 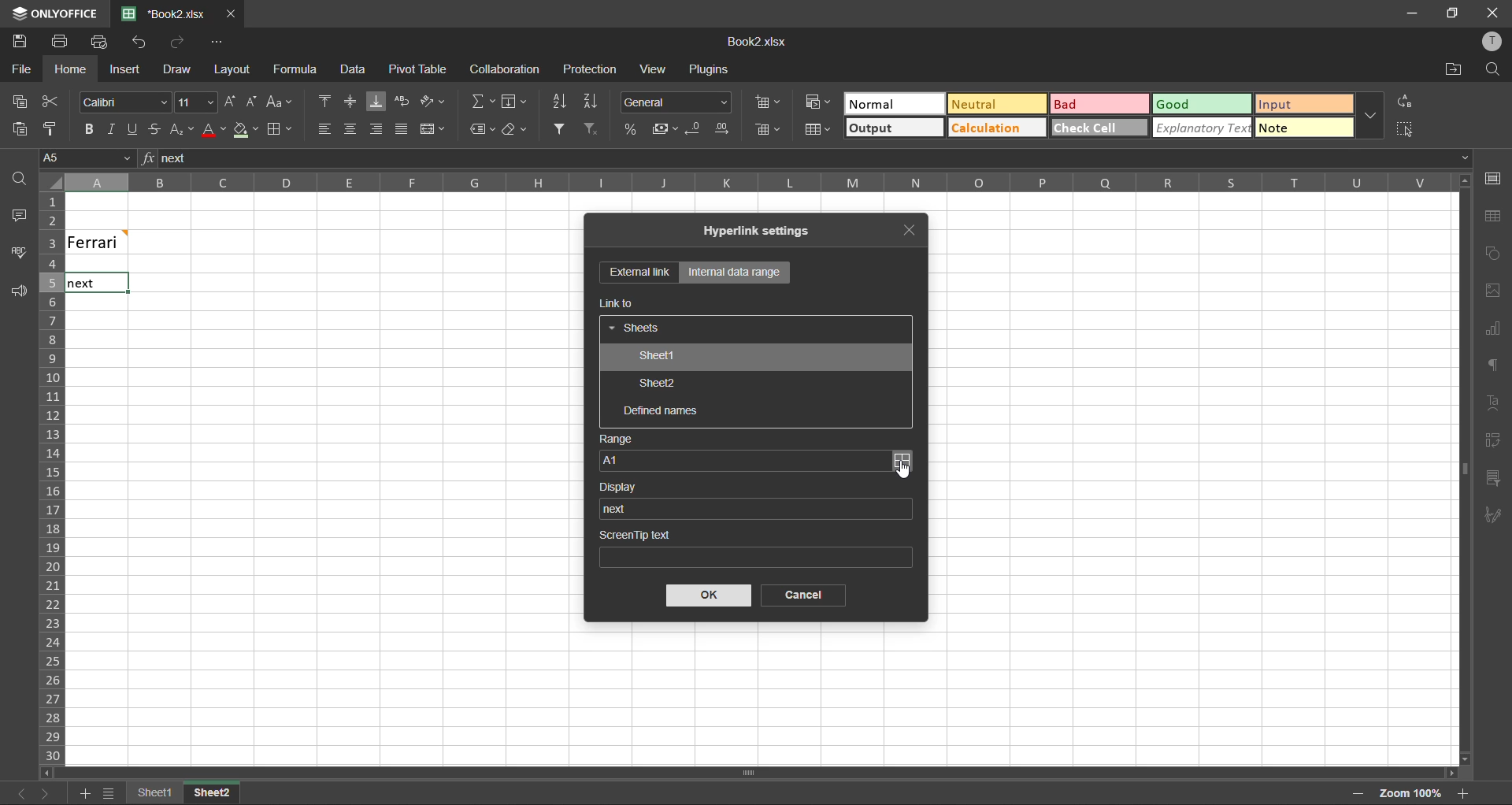 What do you see at coordinates (17, 102) in the screenshot?
I see `copy` at bounding box center [17, 102].